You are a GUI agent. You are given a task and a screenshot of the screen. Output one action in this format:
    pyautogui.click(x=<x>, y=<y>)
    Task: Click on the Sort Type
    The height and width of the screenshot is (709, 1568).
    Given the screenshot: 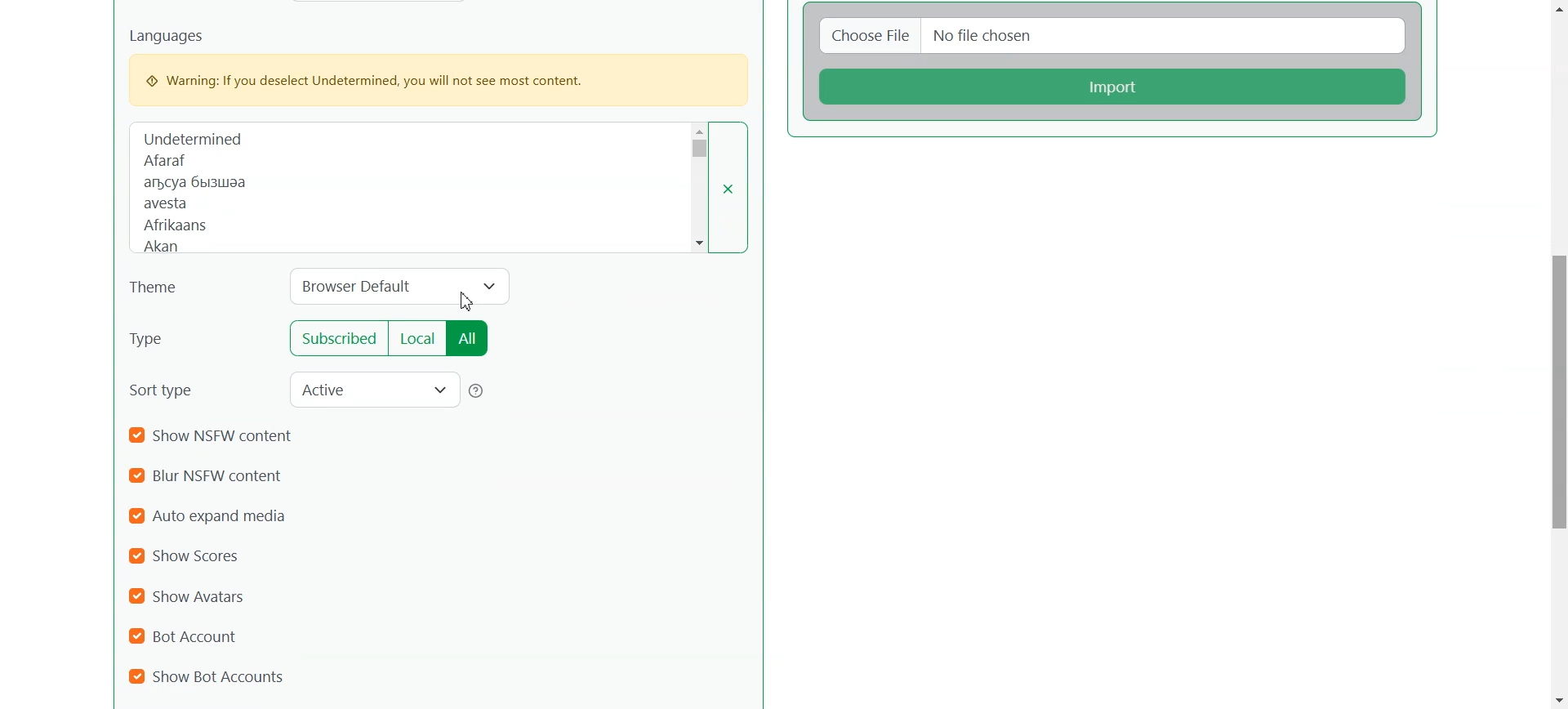 What is the action you would take?
    pyautogui.click(x=169, y=389)
    